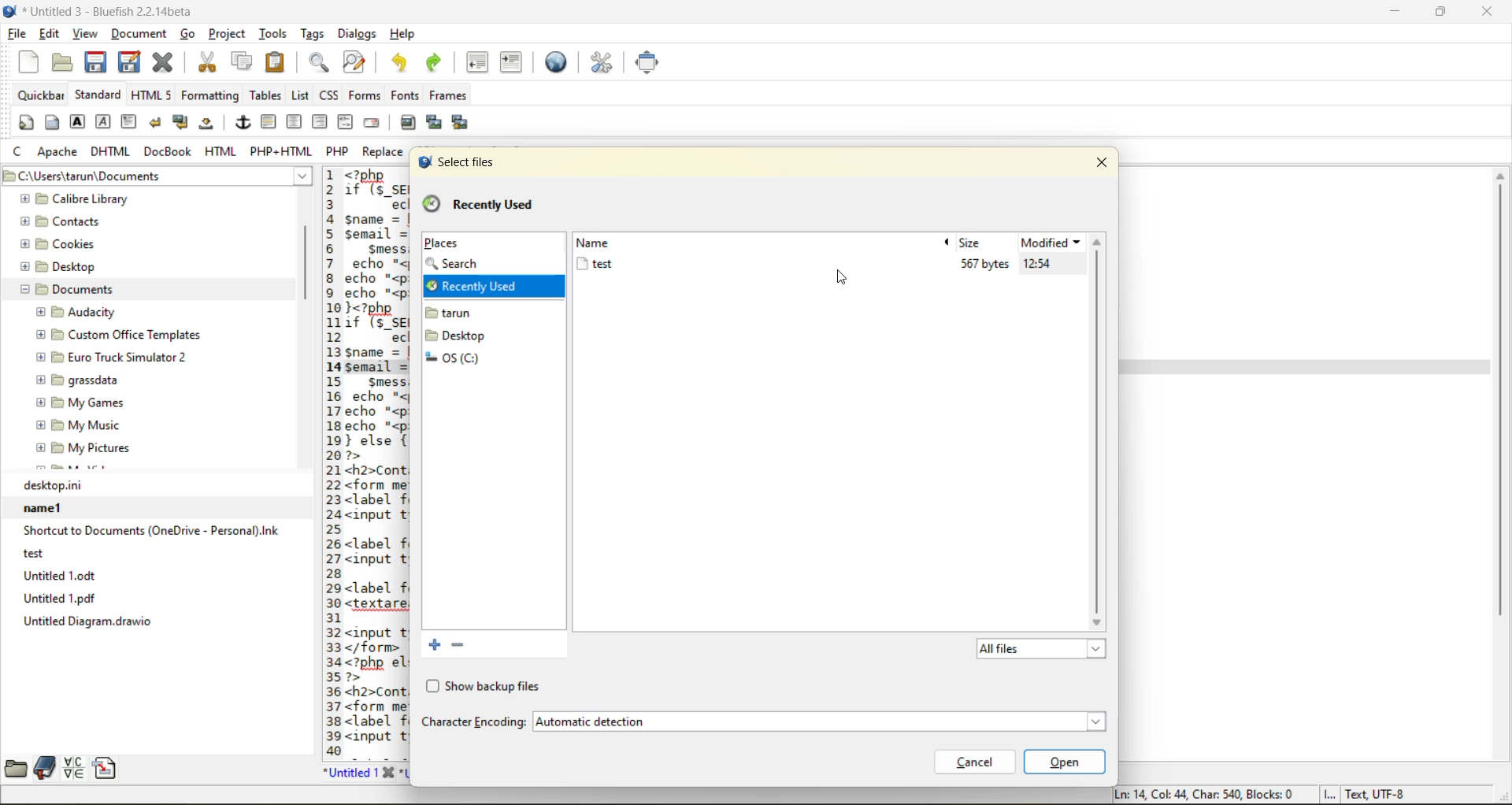 This screenshot has width=1512, height=805. I want to click on tags, so click(312, 35).